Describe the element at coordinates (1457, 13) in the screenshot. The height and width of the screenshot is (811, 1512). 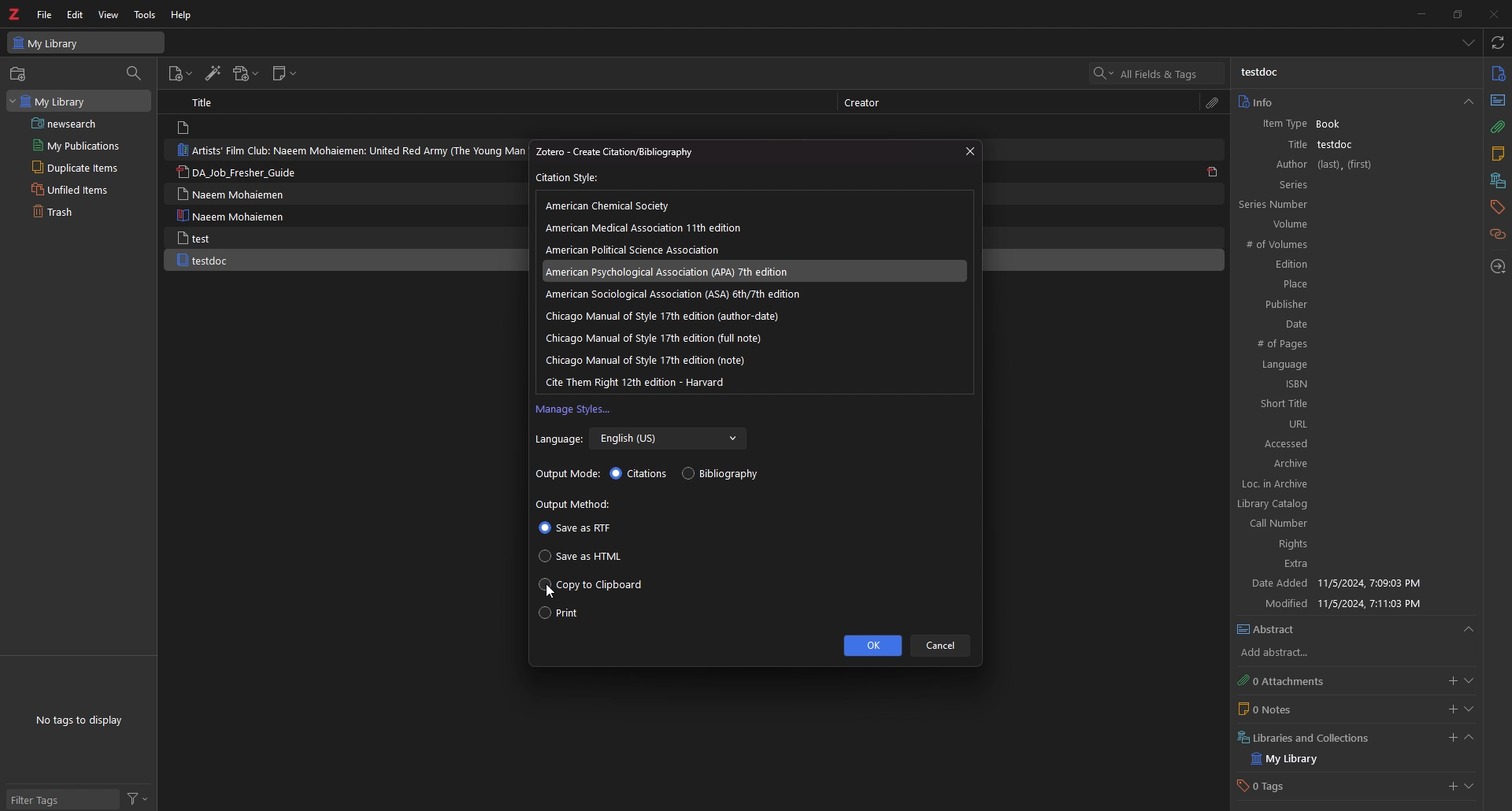
I see `resize` at that location.